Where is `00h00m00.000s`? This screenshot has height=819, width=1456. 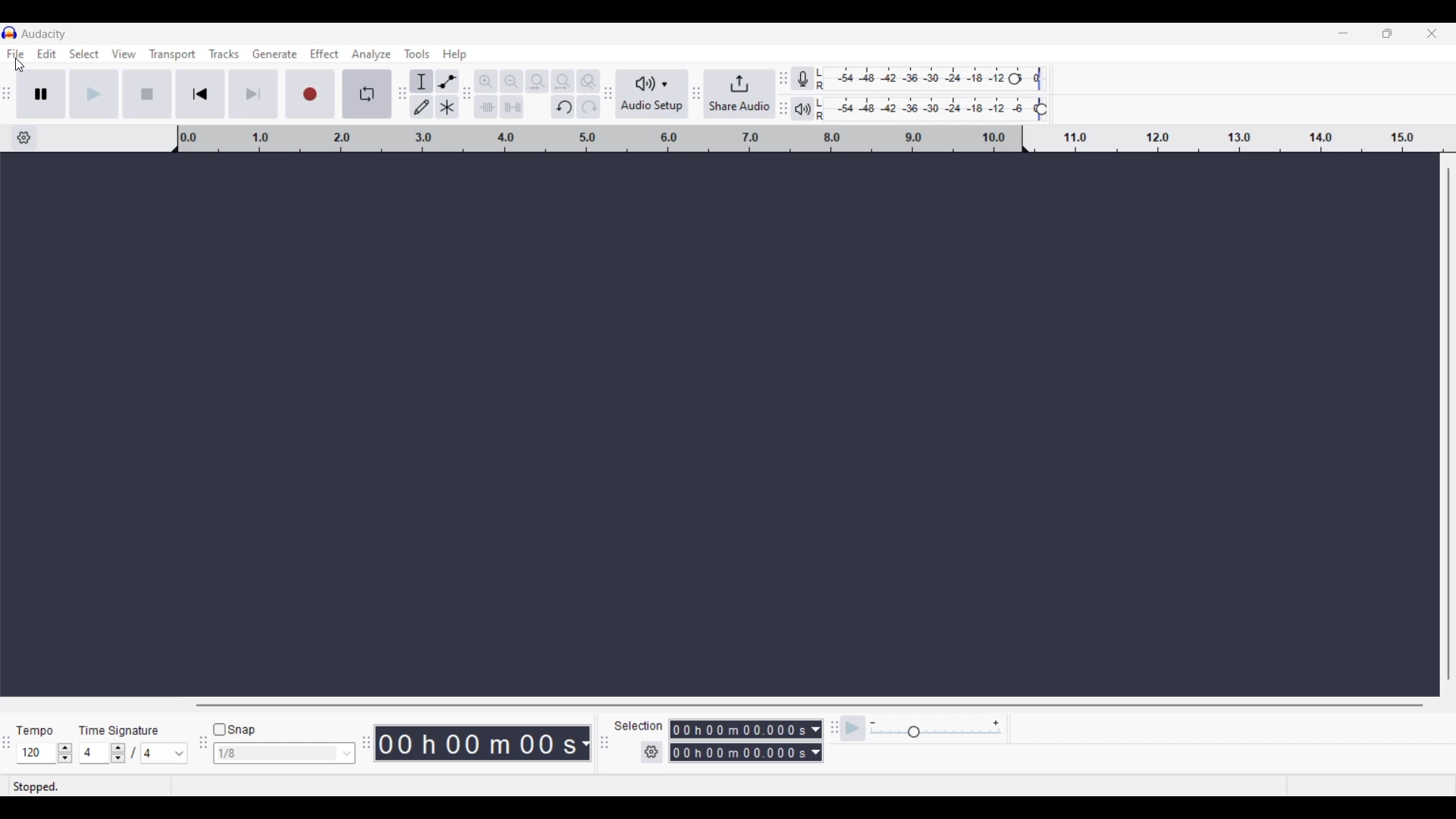
00h00m00.000s is located at coordinates (748, 727).